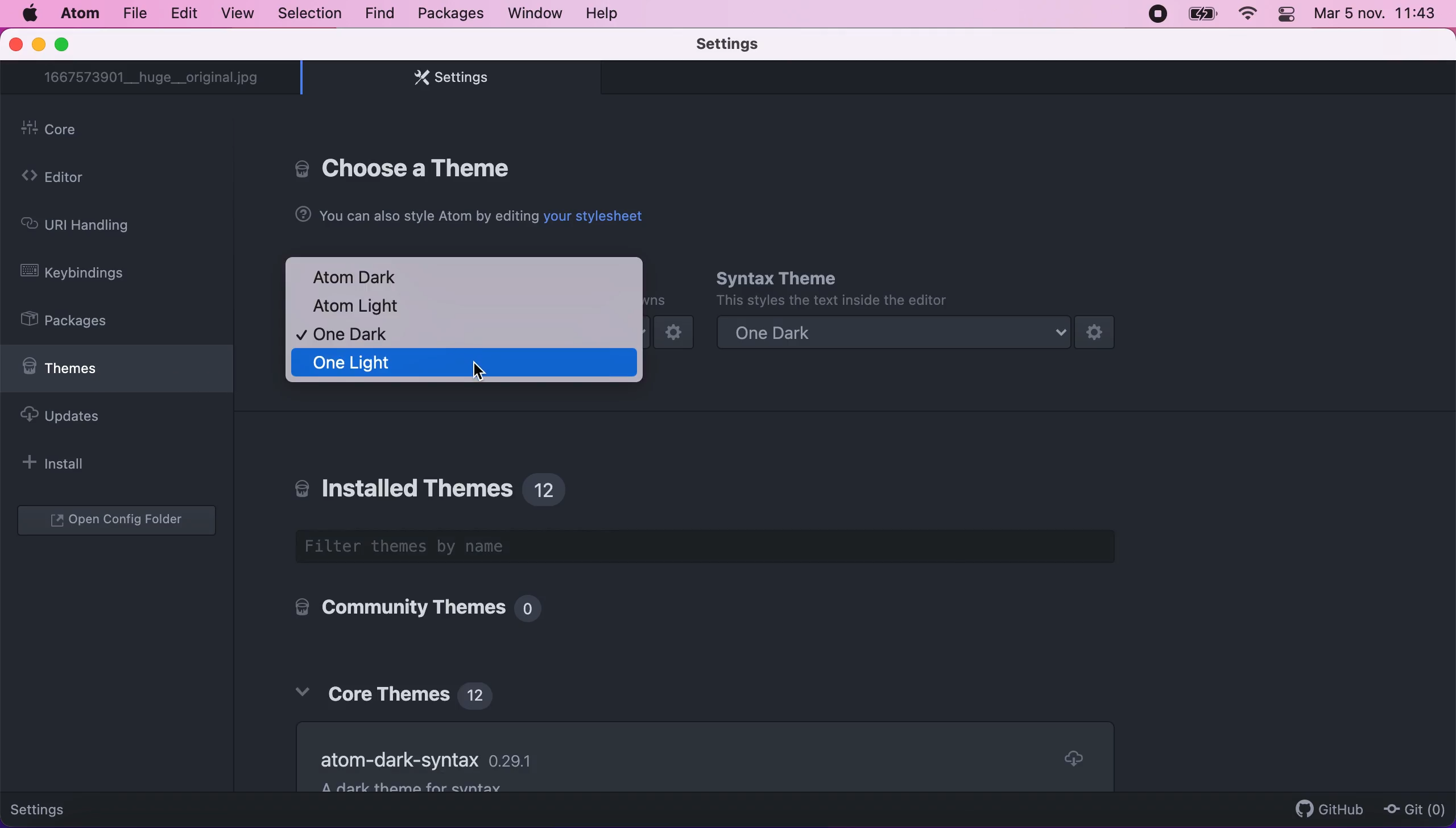 The width and height of the screenshot is (1456, 828). What do you see at coordinates (830, 288) in the screenshot?
I see `Syntax Theme | This styles the text inside the editor` at bounding box center [830, 288].